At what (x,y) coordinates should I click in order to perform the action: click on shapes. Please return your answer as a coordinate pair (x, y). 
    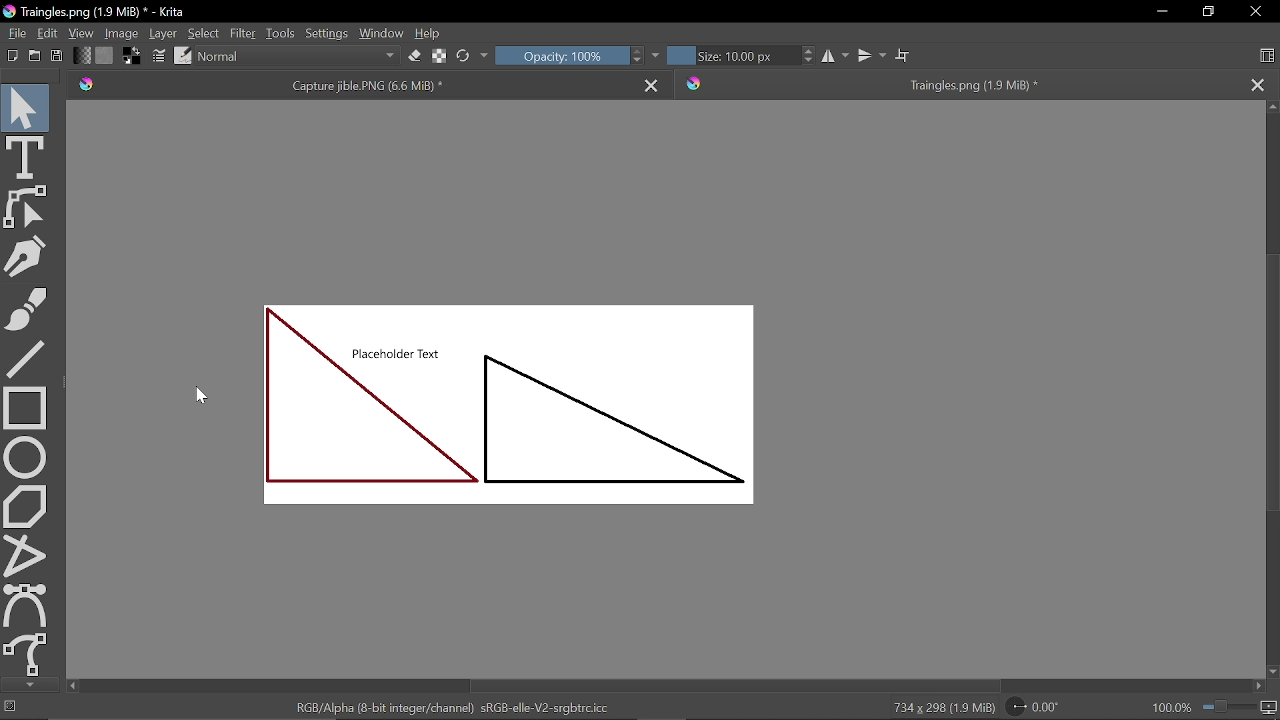
    Looking at the image, I should click on (509, 405).